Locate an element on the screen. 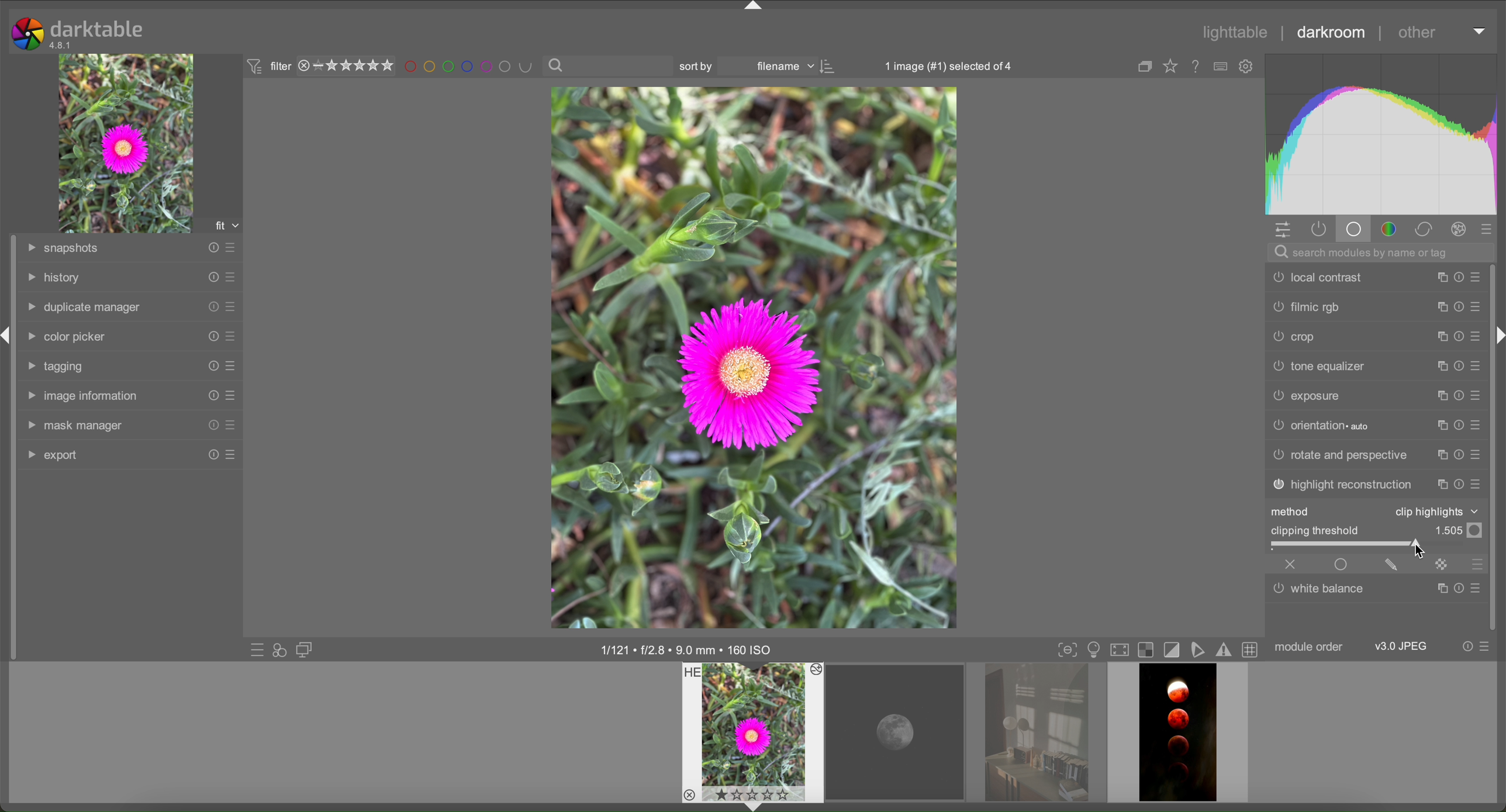 The height and width of the screenshot is (812, 1506). presets is located at coordinates (230, 396).